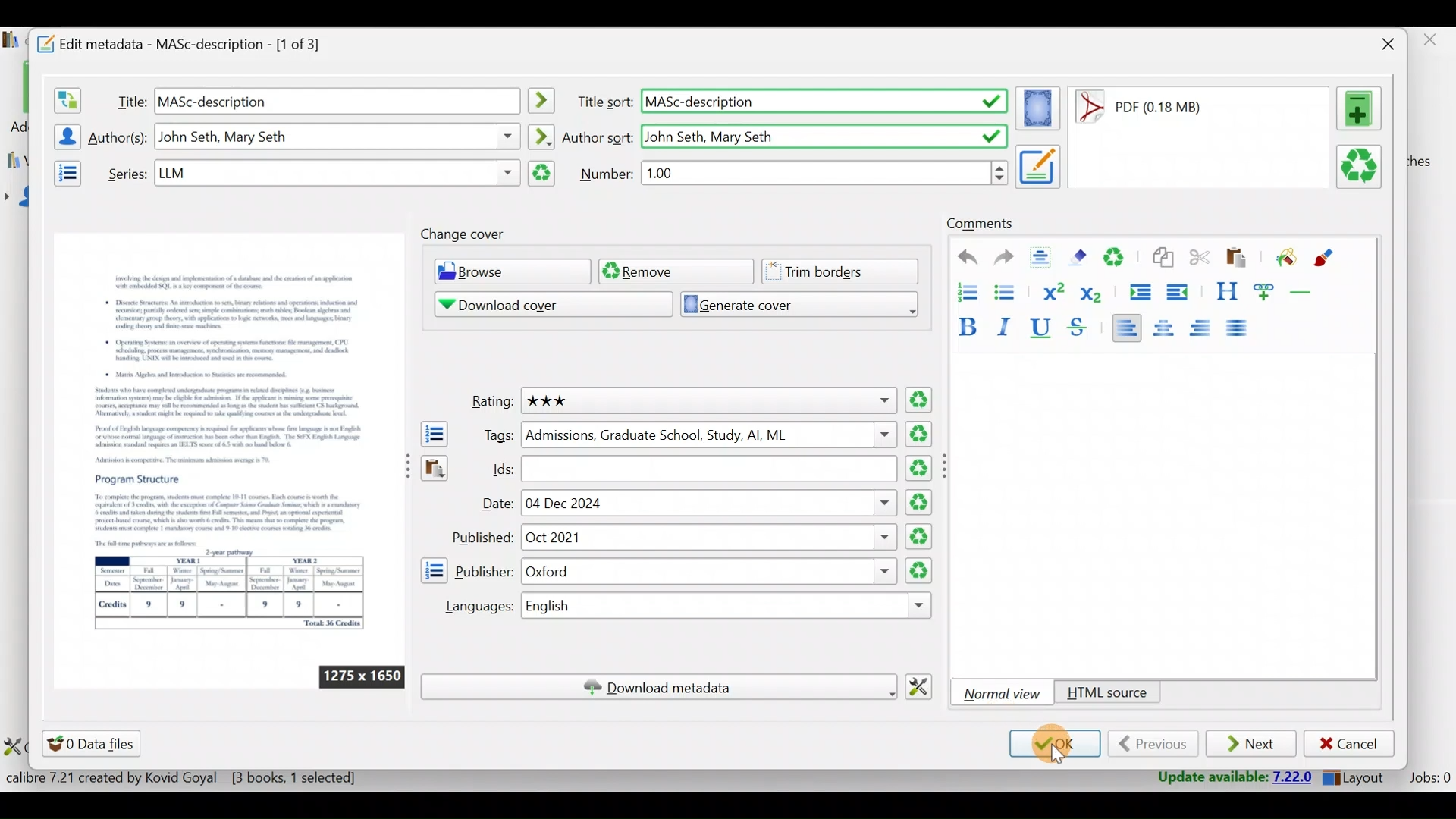 The image size is (1456, 819). I want to click on Paste, so click(1239, 259).